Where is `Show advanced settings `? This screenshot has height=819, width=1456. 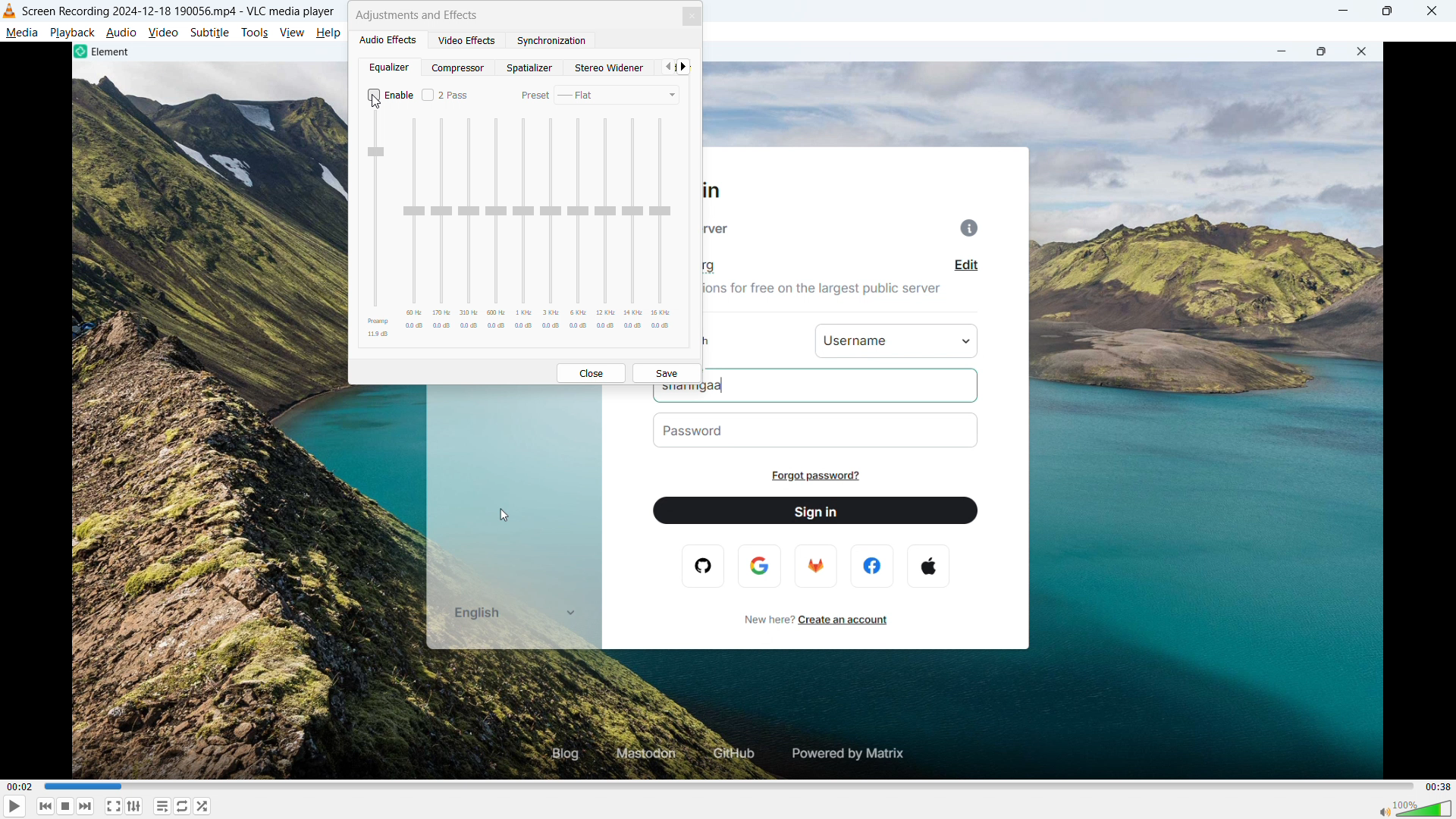 Show advanced settings  is located at coordinates (135, 807).